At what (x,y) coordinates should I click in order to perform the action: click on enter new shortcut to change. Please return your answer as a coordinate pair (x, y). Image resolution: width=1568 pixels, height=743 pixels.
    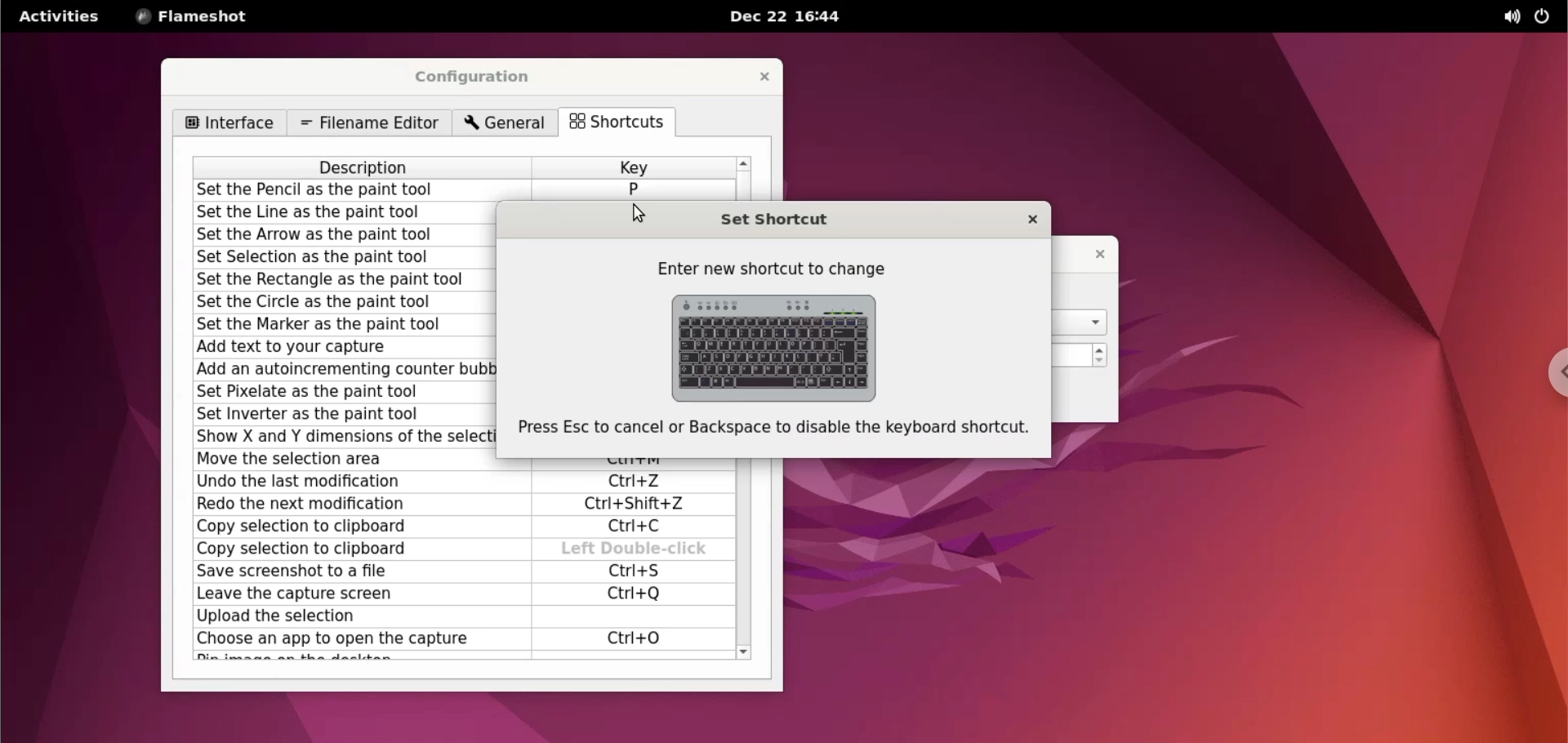
    Looking at the image, I should click on (775, 268).